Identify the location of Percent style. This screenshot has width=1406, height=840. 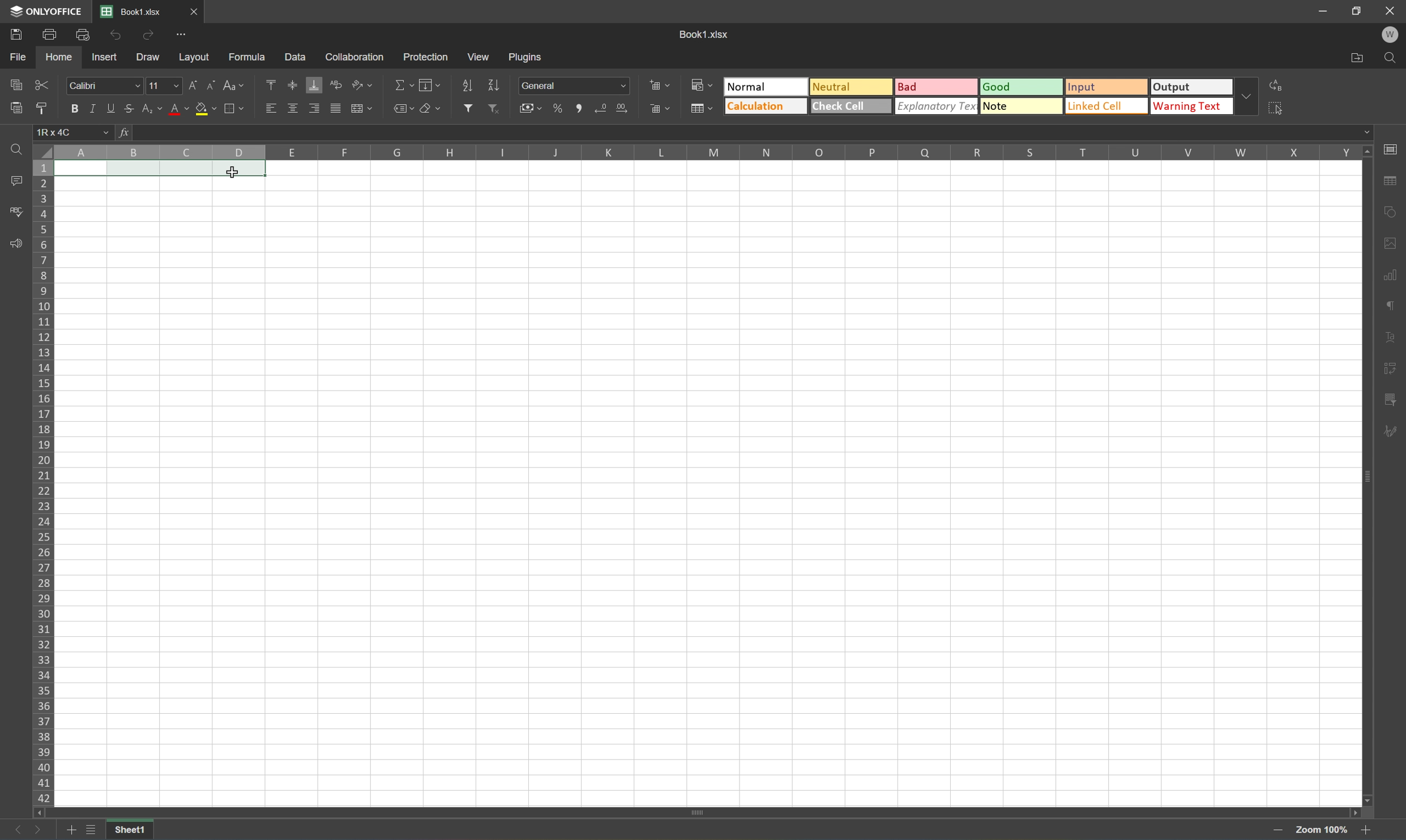
(559, 109).